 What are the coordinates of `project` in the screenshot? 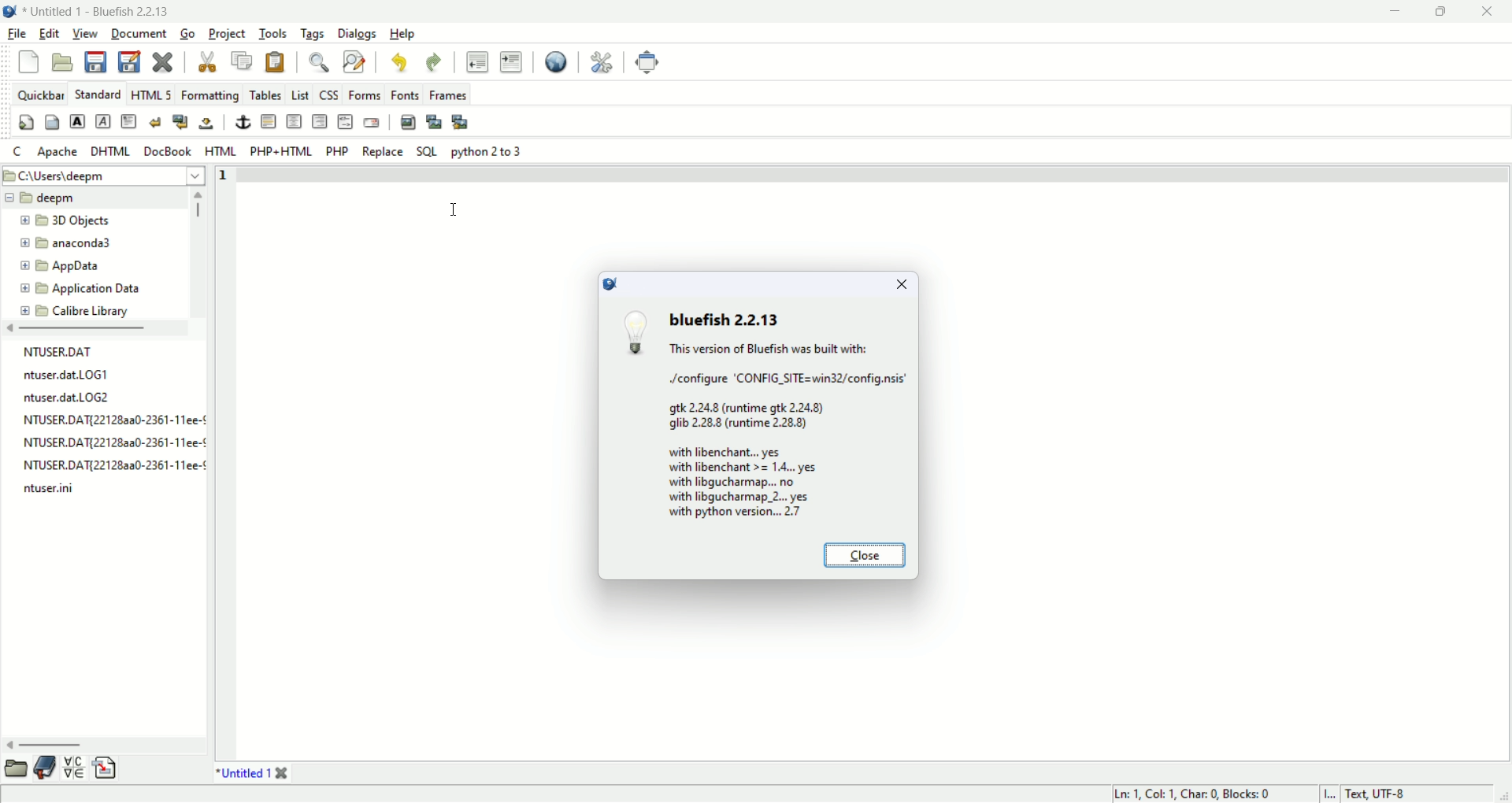 It's located at (228, 35).